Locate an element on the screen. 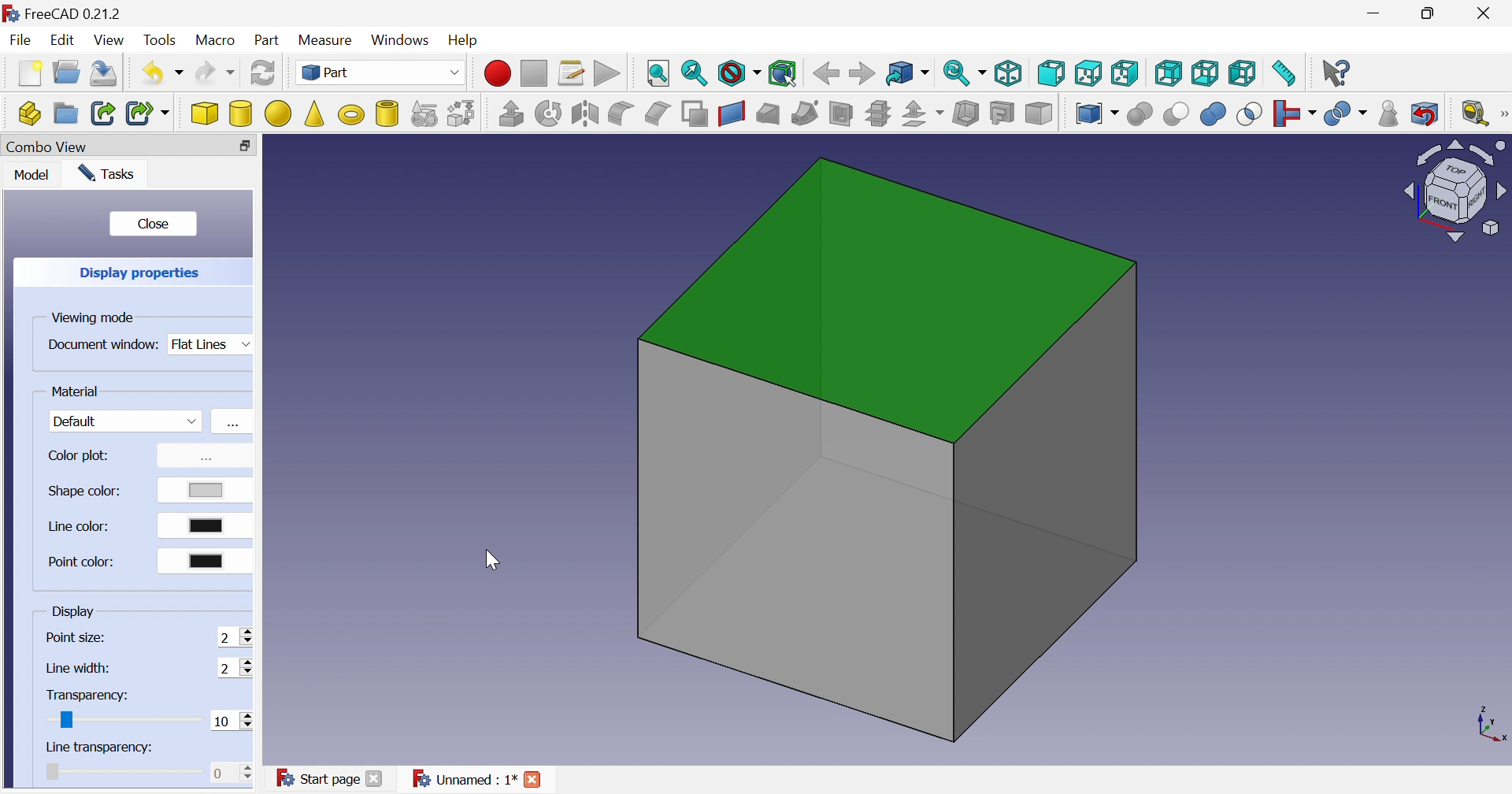 The image size is (1512, 794). Cursor is located at coordinates (491, 558).